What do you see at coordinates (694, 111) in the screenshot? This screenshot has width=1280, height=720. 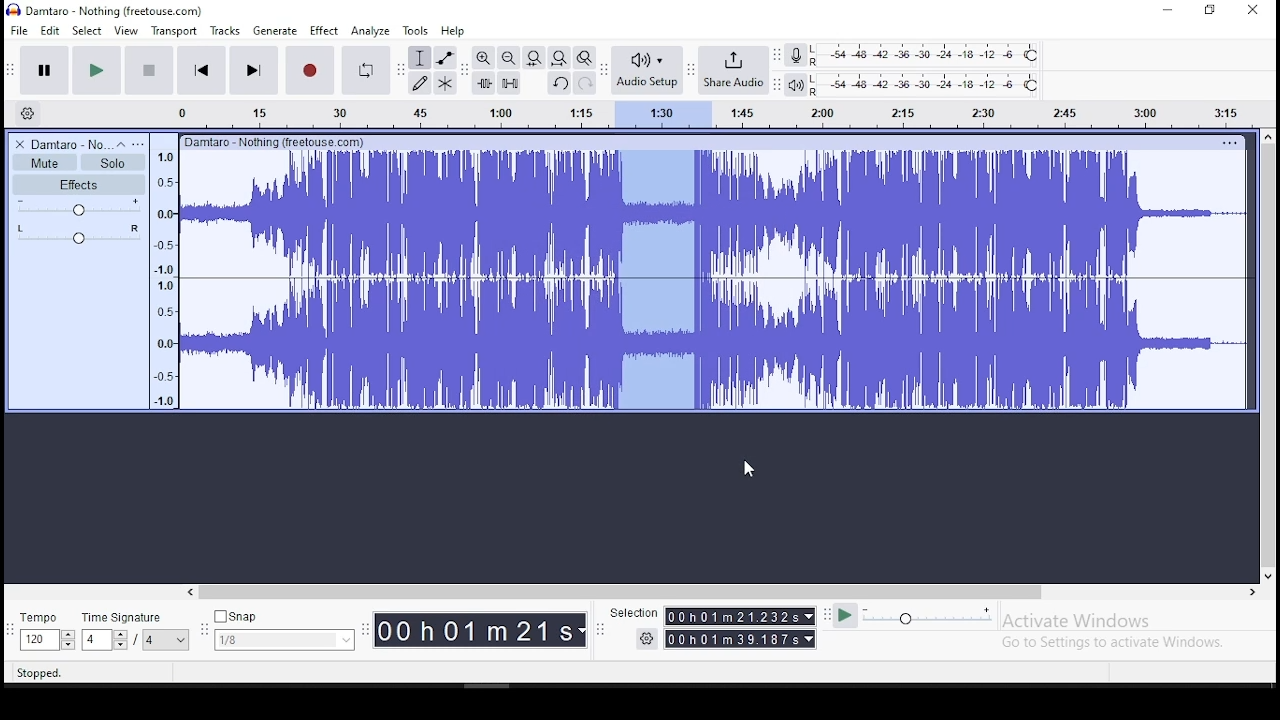 I see `Audio bar` at bounding box center [694, 111].